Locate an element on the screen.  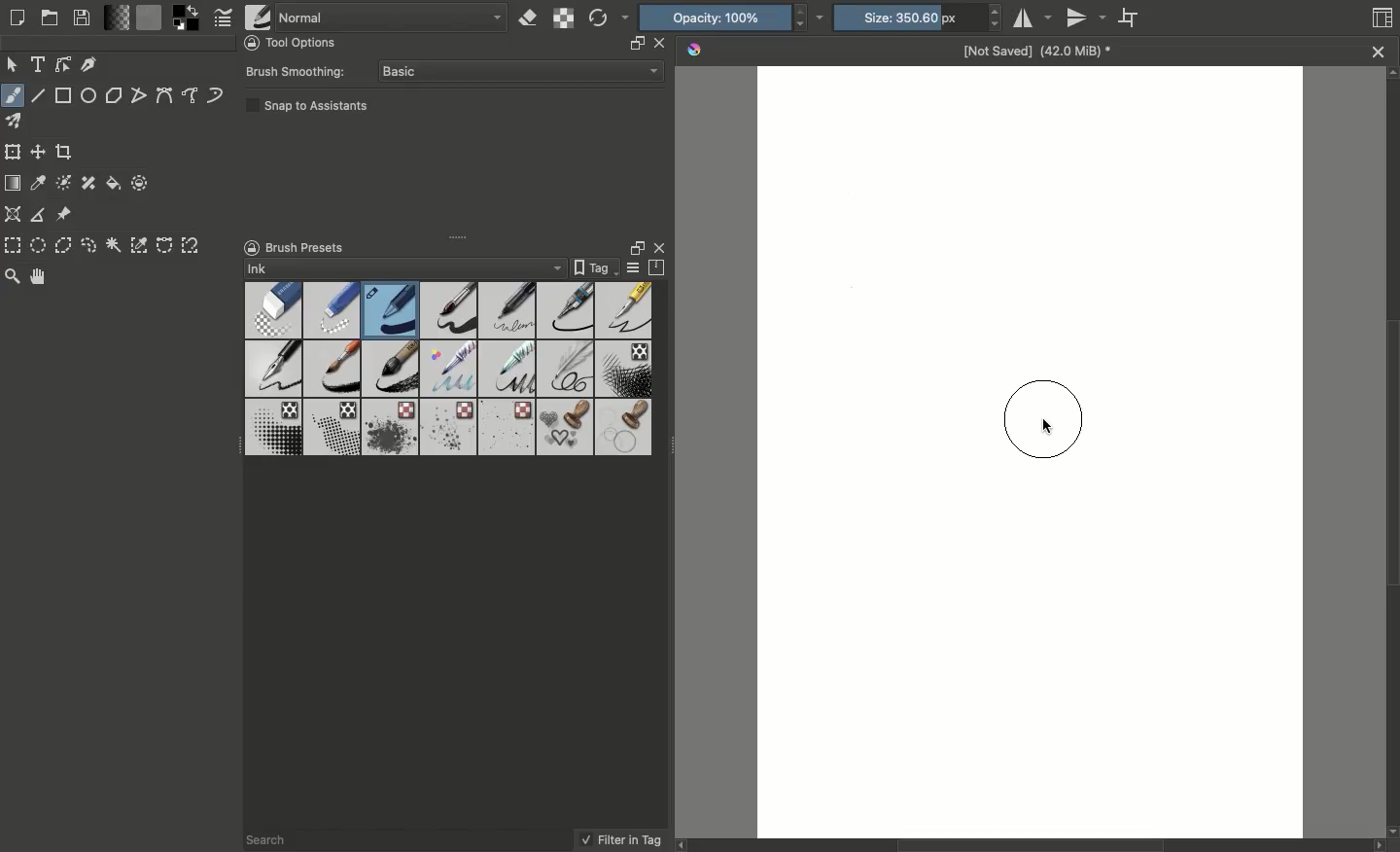
Close is located at coordinates (664, 247).